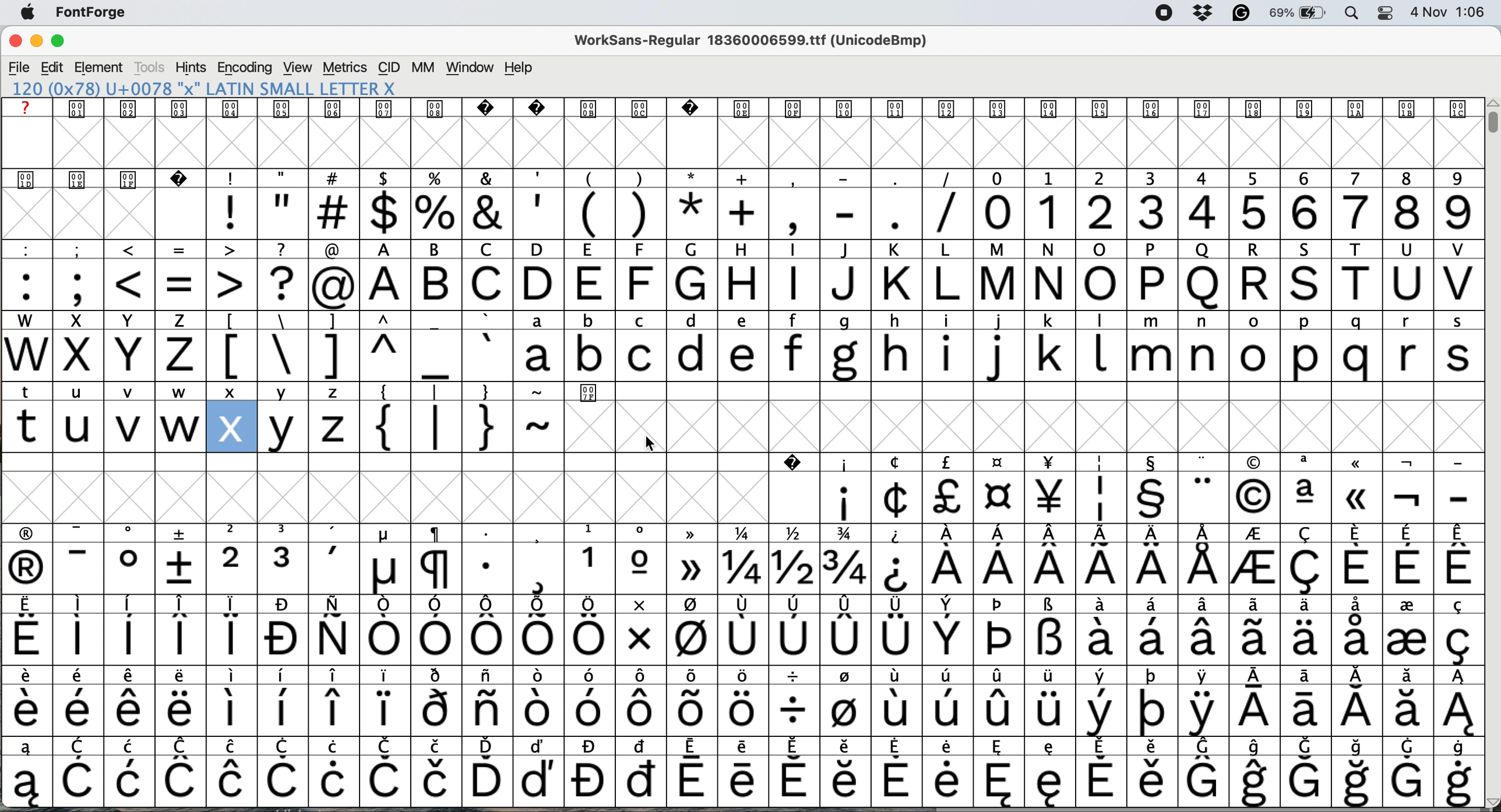 Image resolution: width=1501 pixels, height=812 pixels. I want to click on control center, so click(1383, 12).